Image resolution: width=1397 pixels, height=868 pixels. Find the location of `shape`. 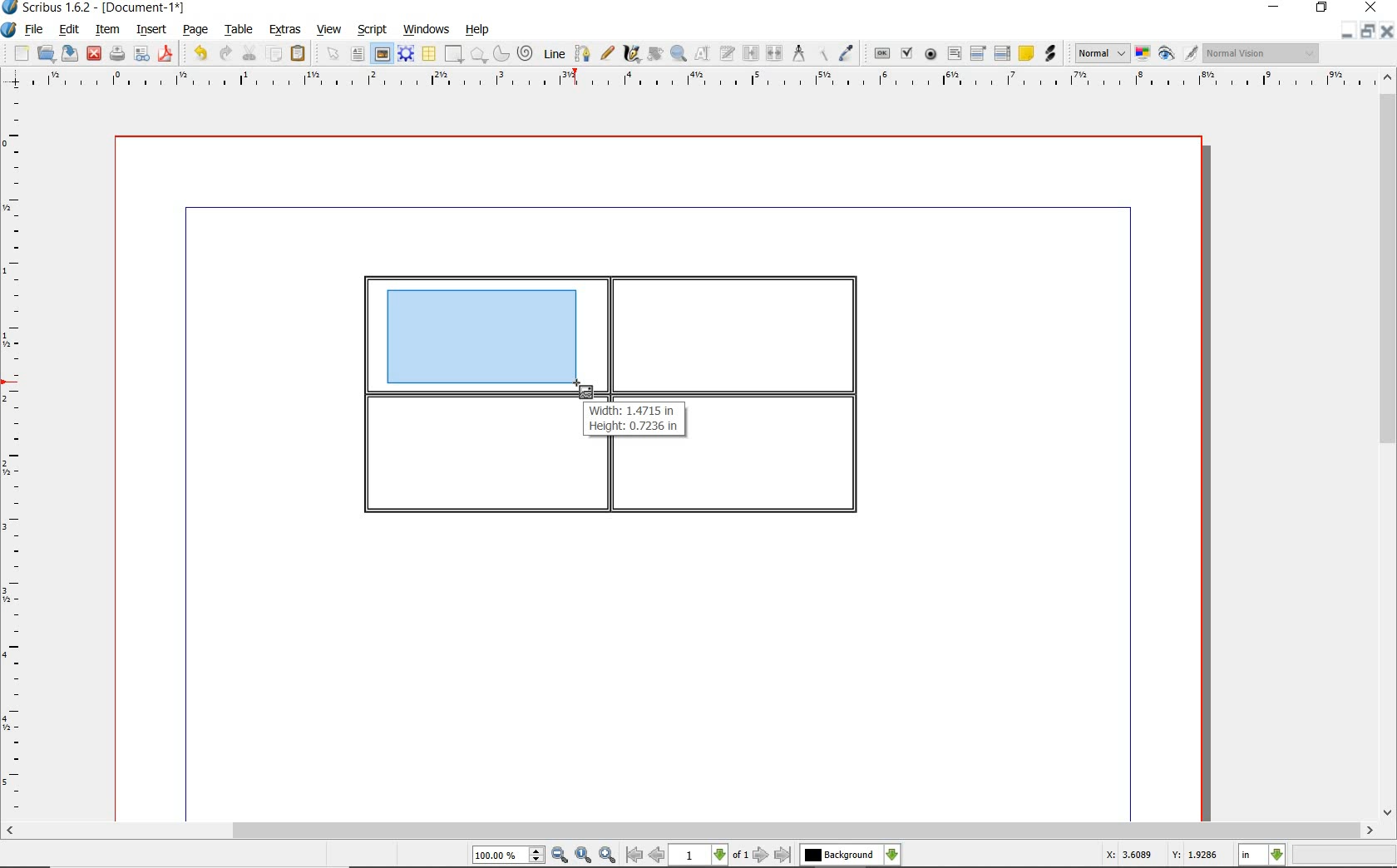

shape is located at coordinates (479, 56).